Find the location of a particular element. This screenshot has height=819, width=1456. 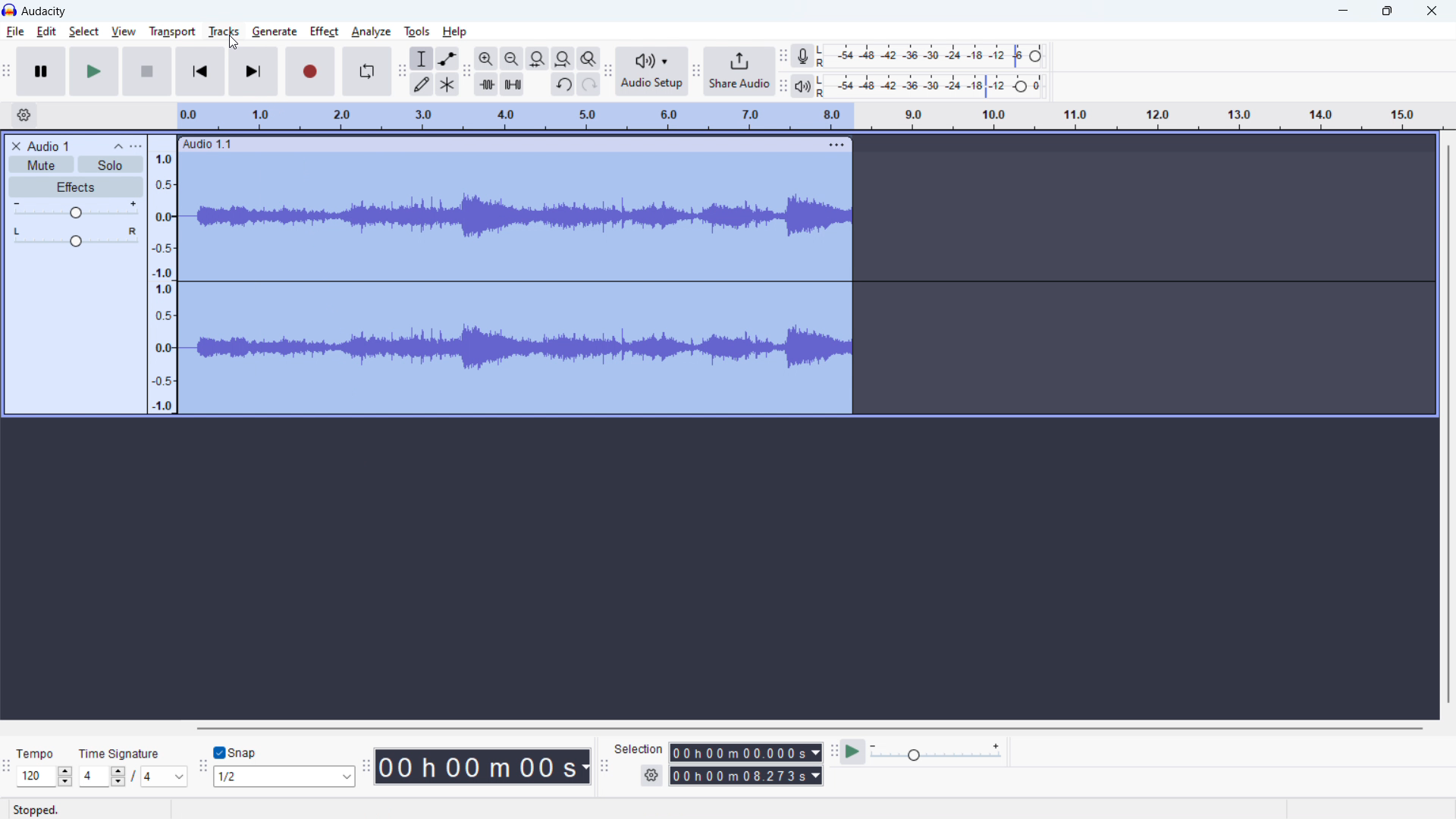

edit is located at coordinates (47, 32).